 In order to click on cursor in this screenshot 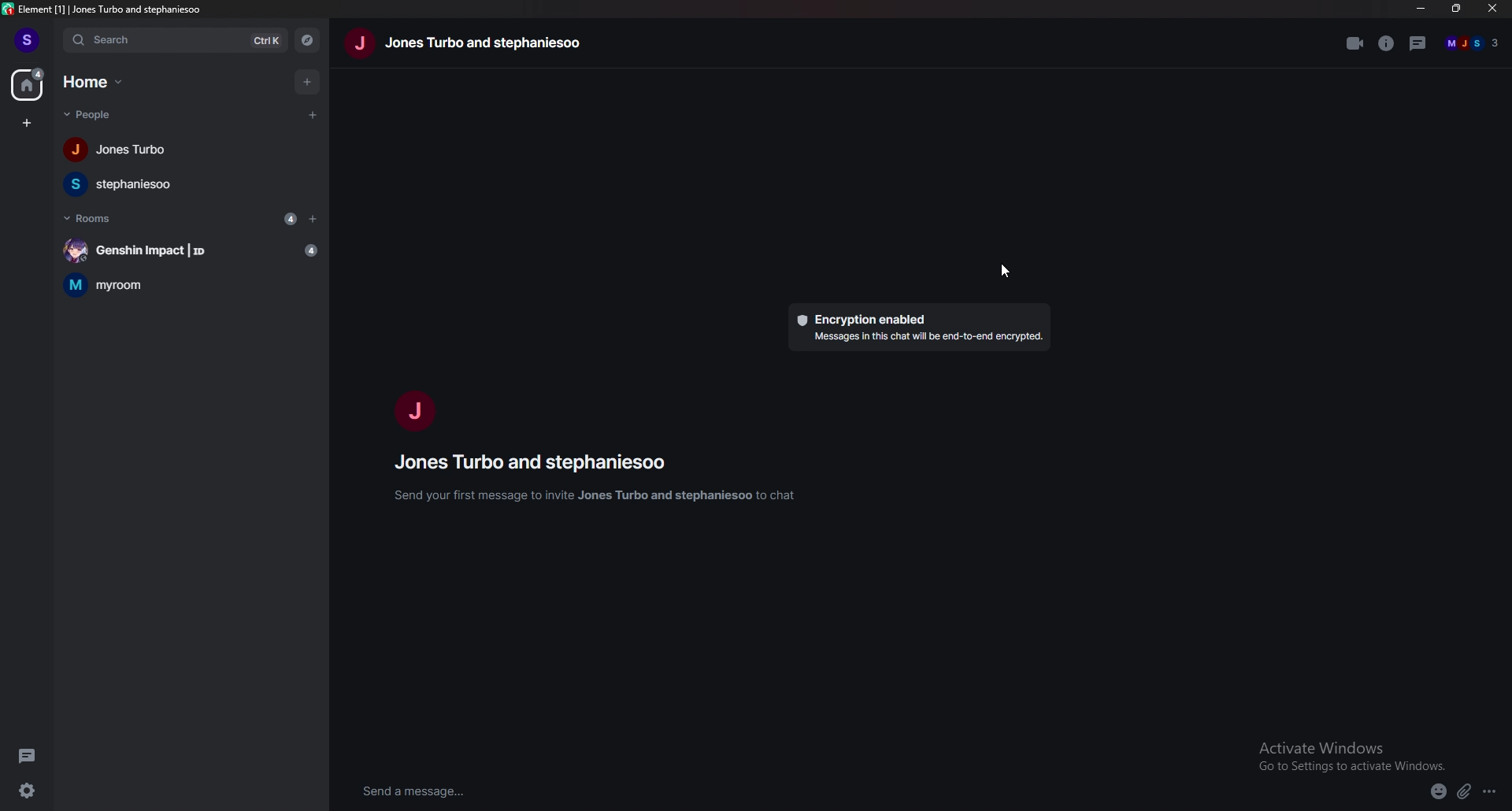, I will do `click(310, 115)`.